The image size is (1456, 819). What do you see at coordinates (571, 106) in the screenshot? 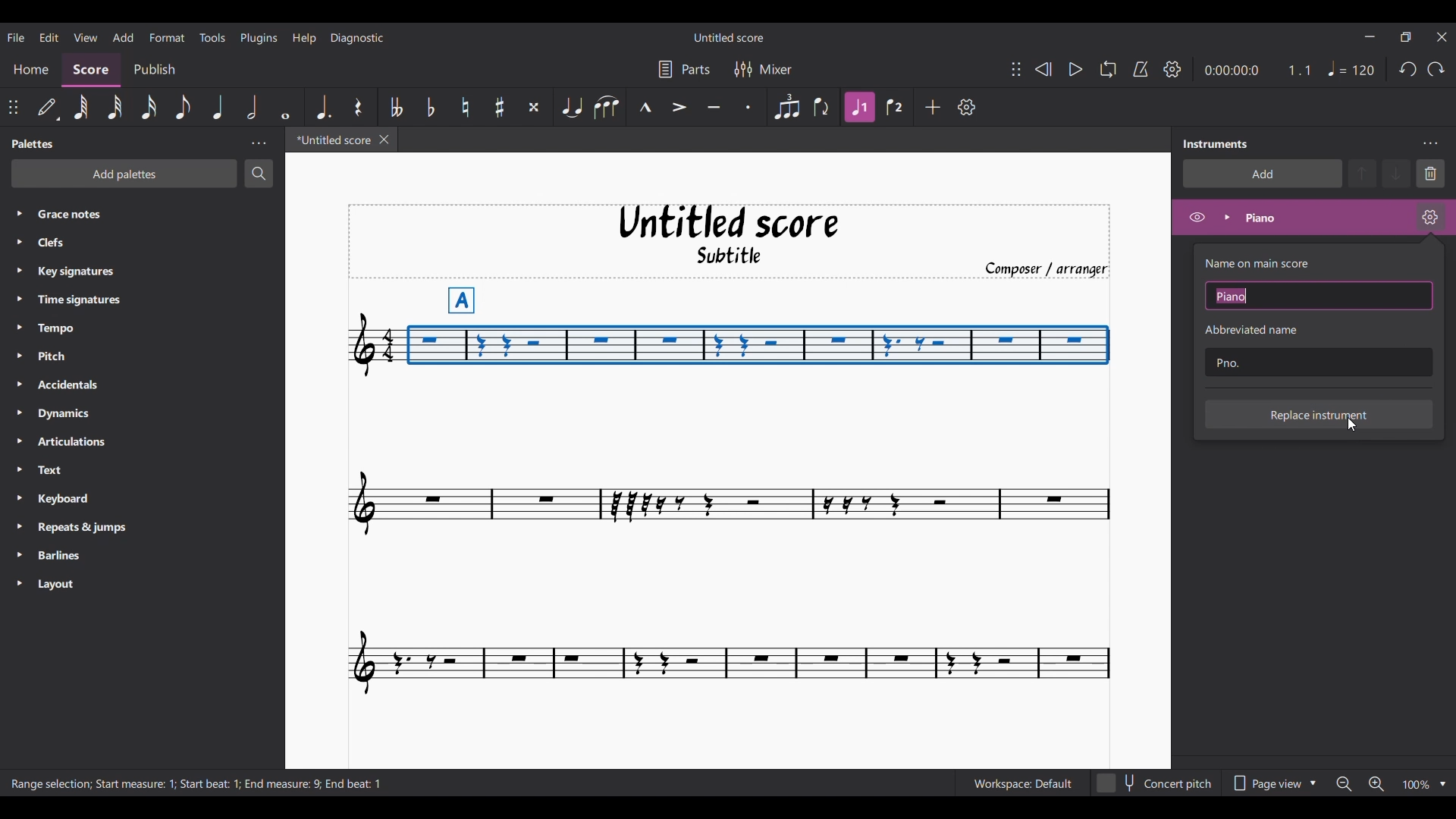
I see `Tie` at bounding box center [571, 106].